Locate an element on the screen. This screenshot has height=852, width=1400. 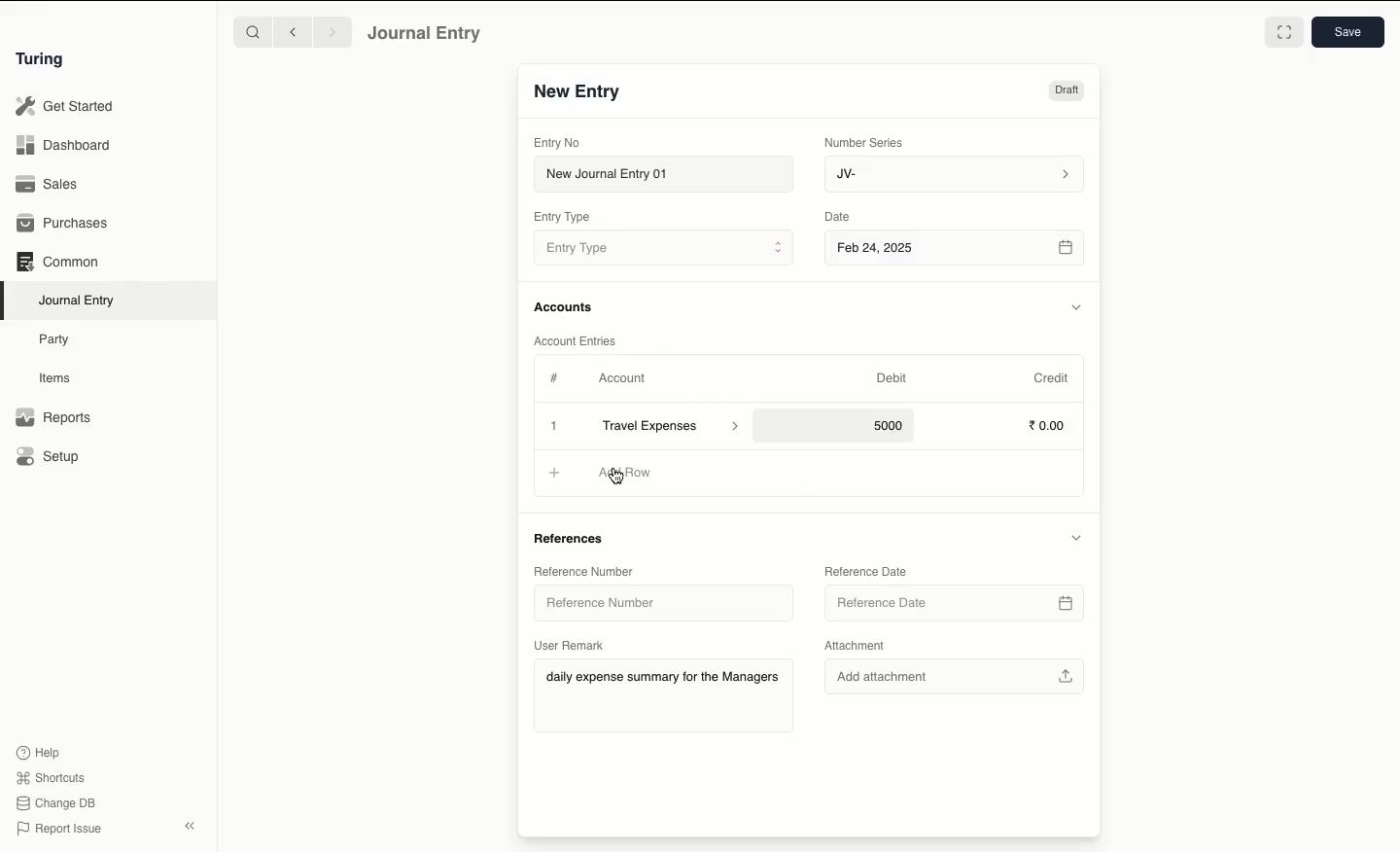
Common is located at coordinates (59, 262).